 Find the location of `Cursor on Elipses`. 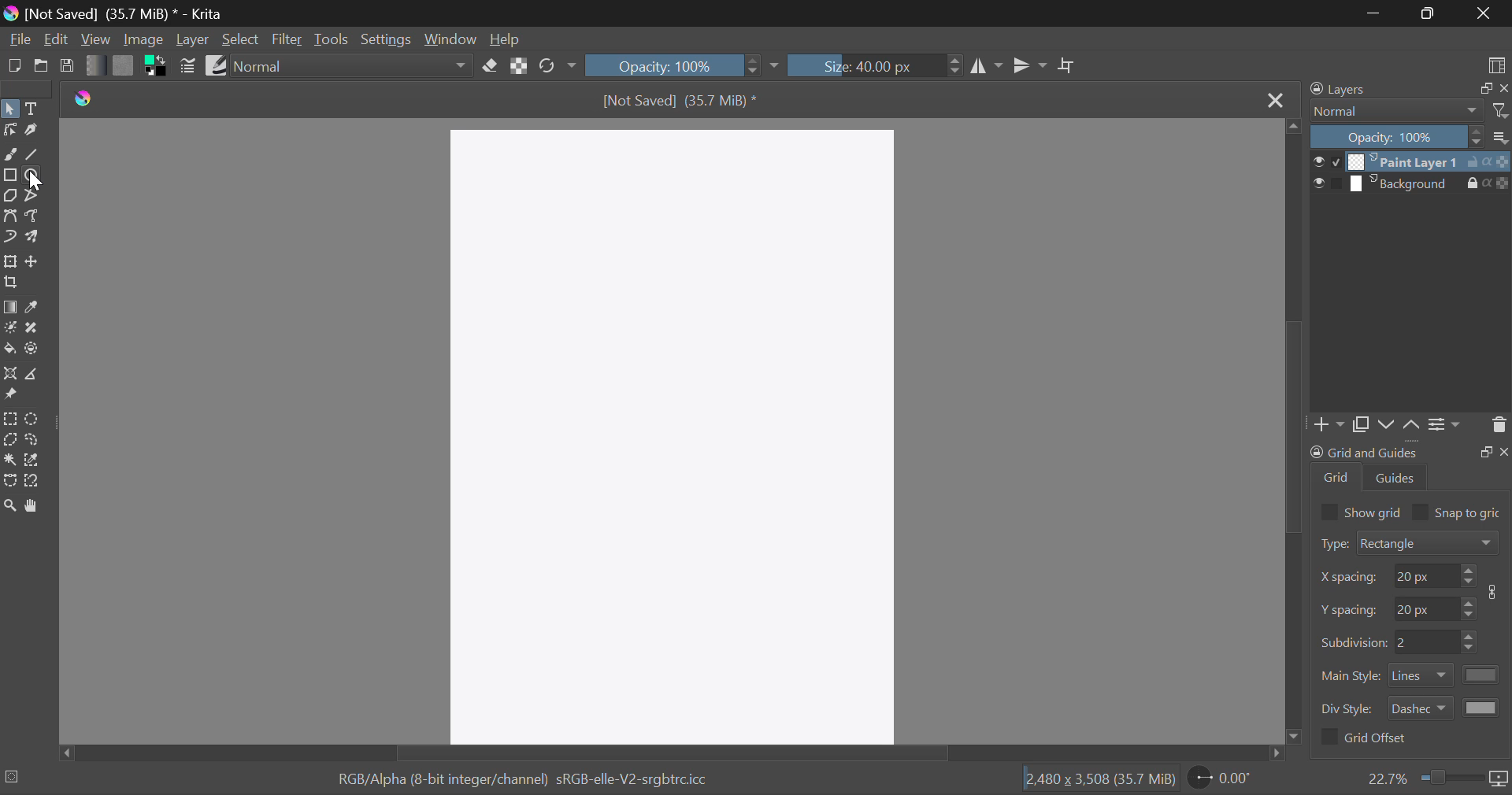

Cursor on Elipses is located at coordinates (34, 174).